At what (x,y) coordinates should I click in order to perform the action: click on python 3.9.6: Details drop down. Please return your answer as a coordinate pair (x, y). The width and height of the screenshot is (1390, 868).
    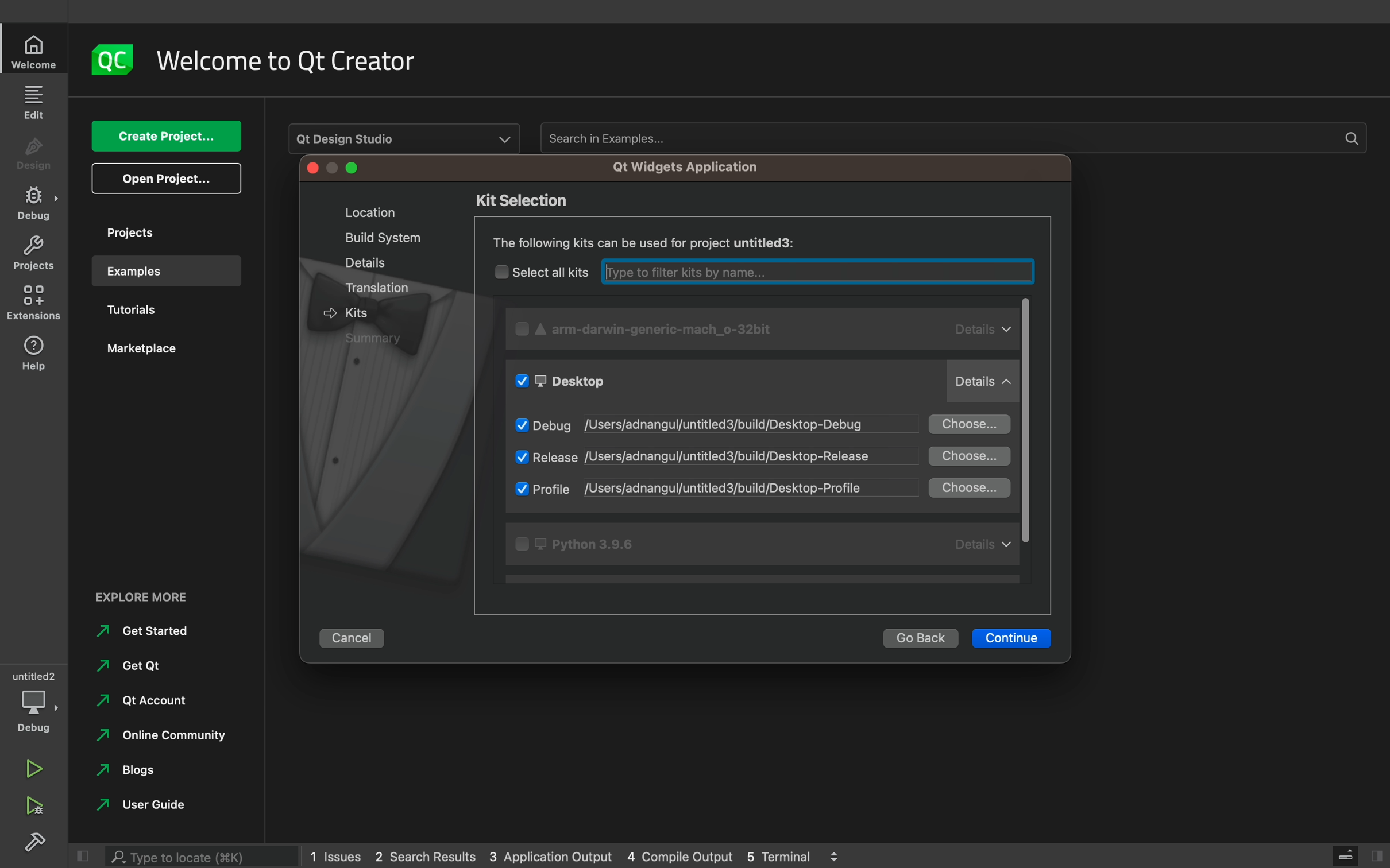
    Looking at the image, I should click on (764, 544).